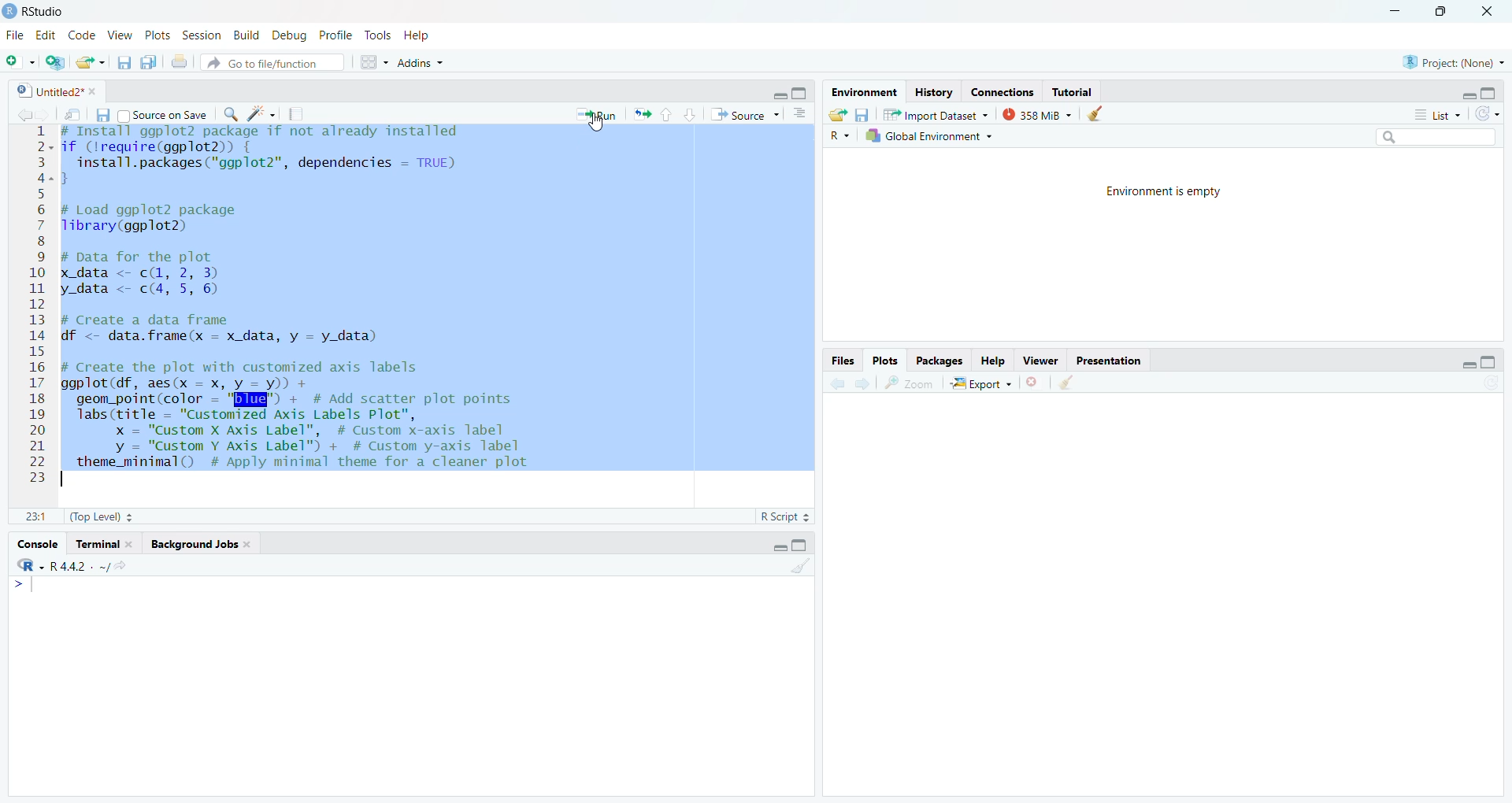 Image resolution: width=1512 pixels, height=803 pixels. I want to click on »» Go to file/function, so click(277, 65).